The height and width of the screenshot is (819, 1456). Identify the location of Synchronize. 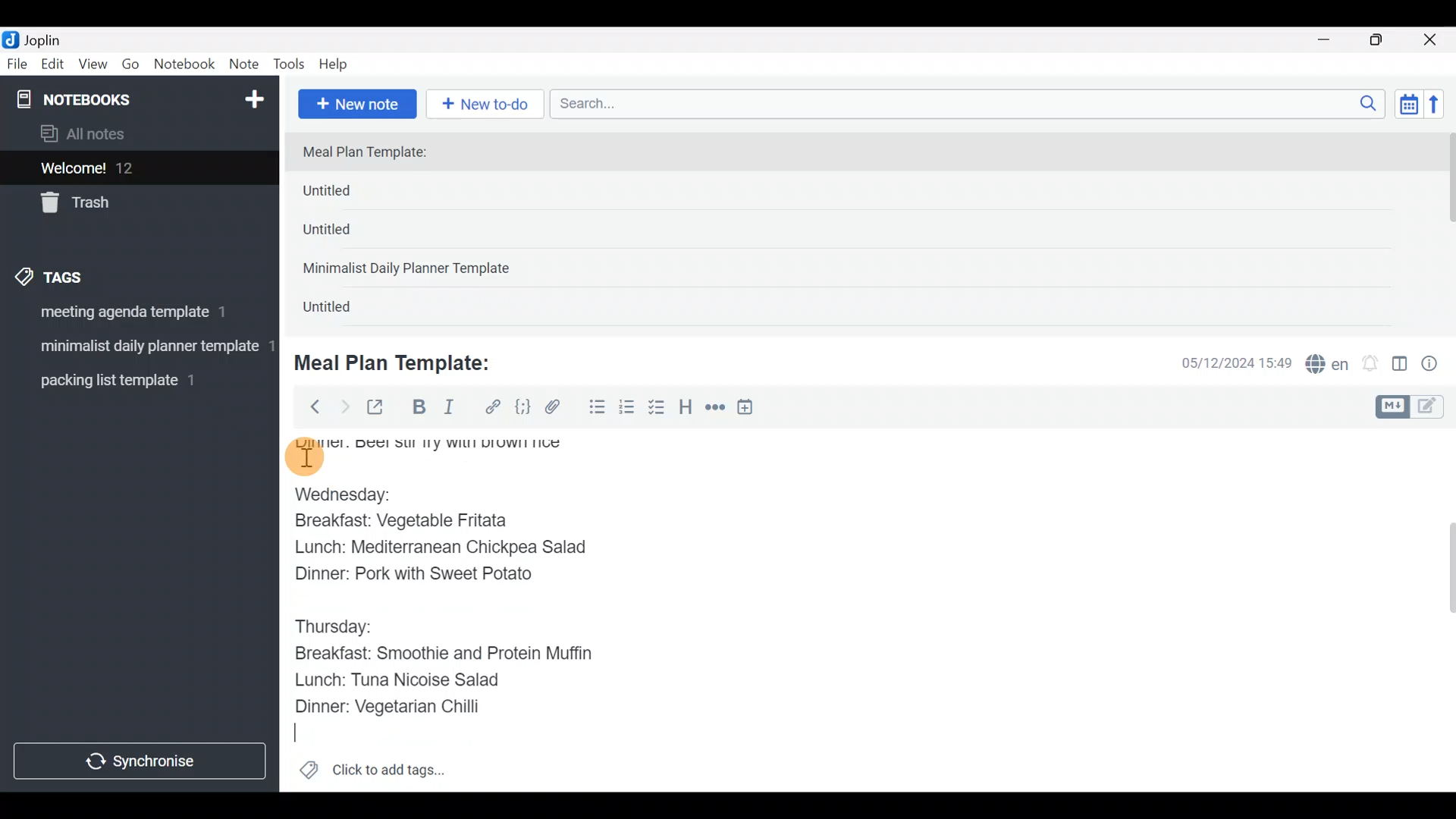
(142, 761).